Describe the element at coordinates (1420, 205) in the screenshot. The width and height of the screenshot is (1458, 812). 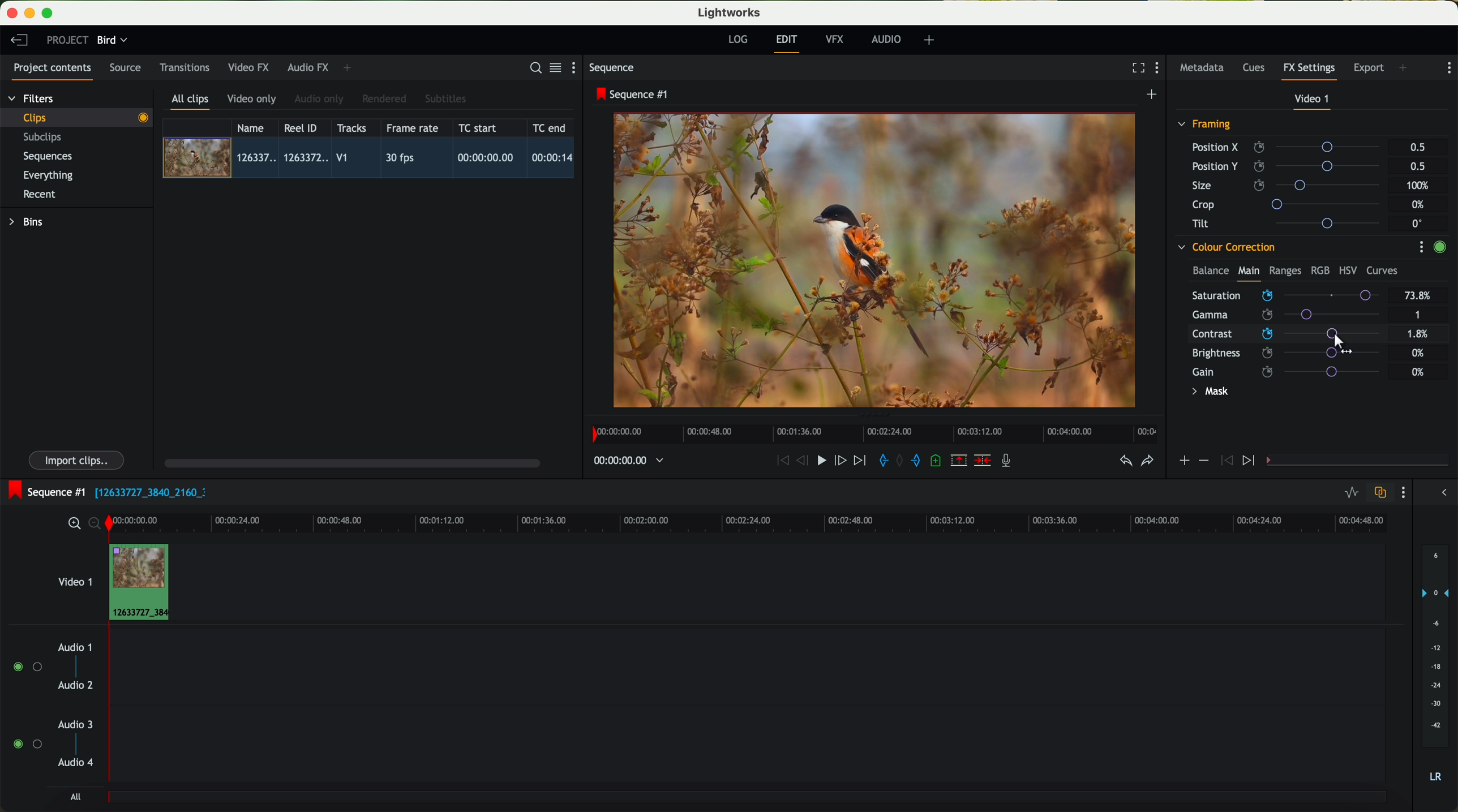
I see `0%` at that location.